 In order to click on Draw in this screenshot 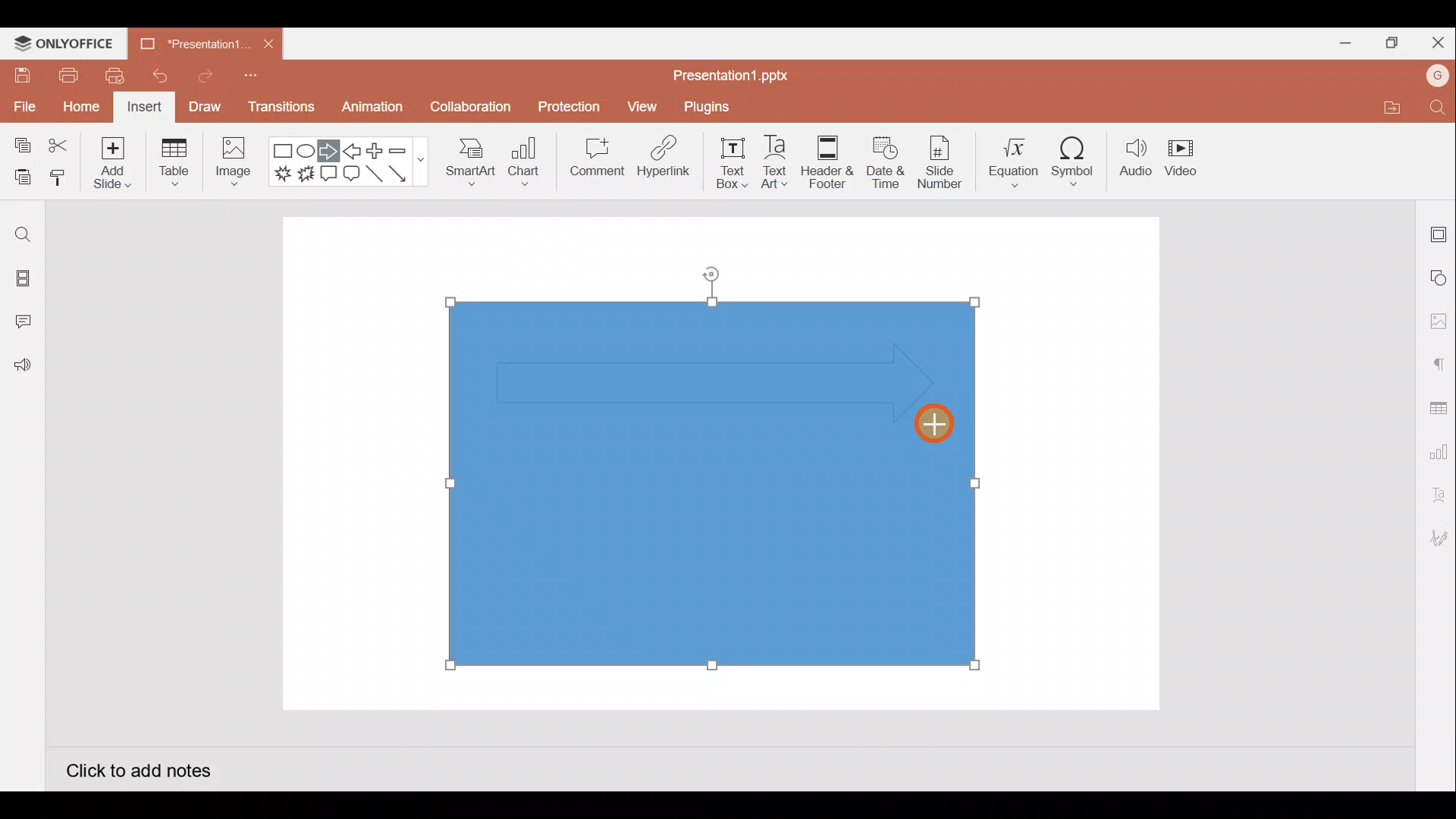, I will do `click(204, 106)`.